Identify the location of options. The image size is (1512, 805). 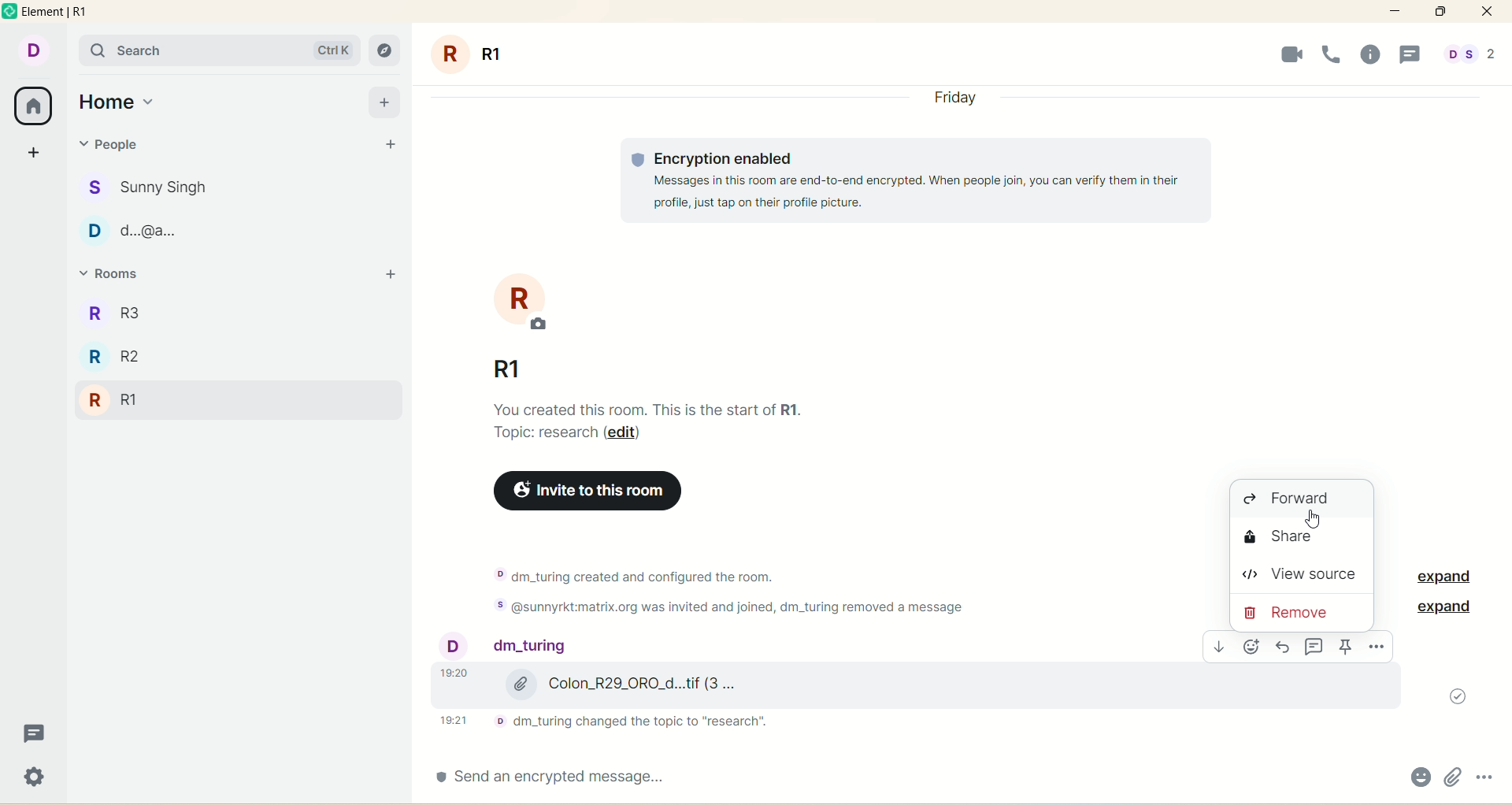
(1487, 773).